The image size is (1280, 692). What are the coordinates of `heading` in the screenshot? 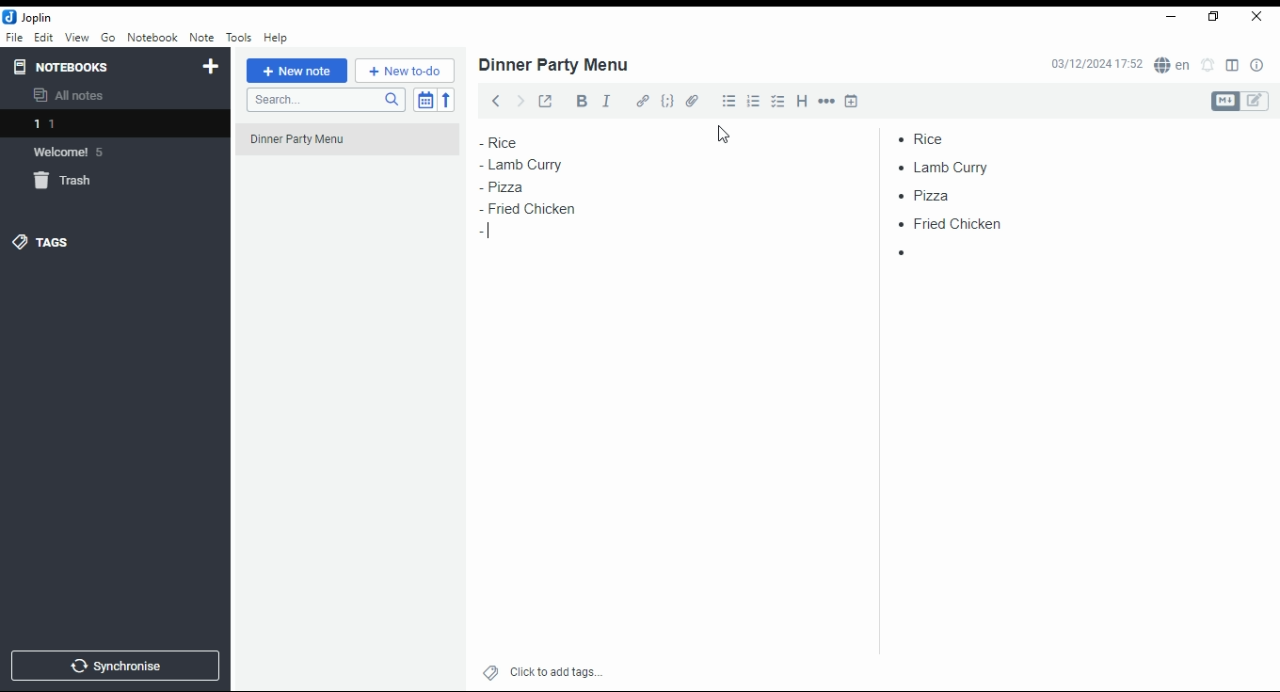 It's located at (803, 102).